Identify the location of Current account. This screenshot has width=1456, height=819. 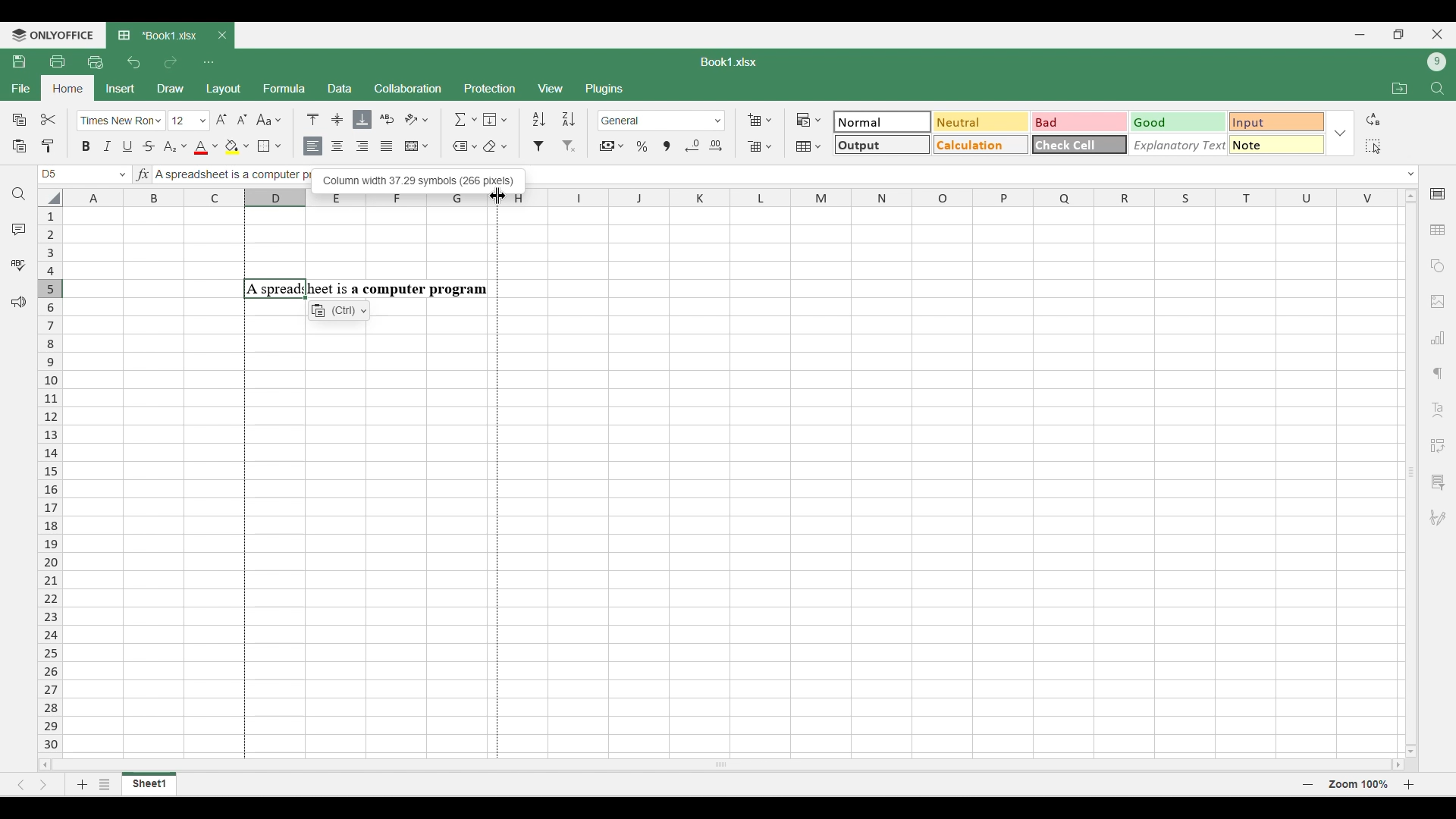
(1437, 62).